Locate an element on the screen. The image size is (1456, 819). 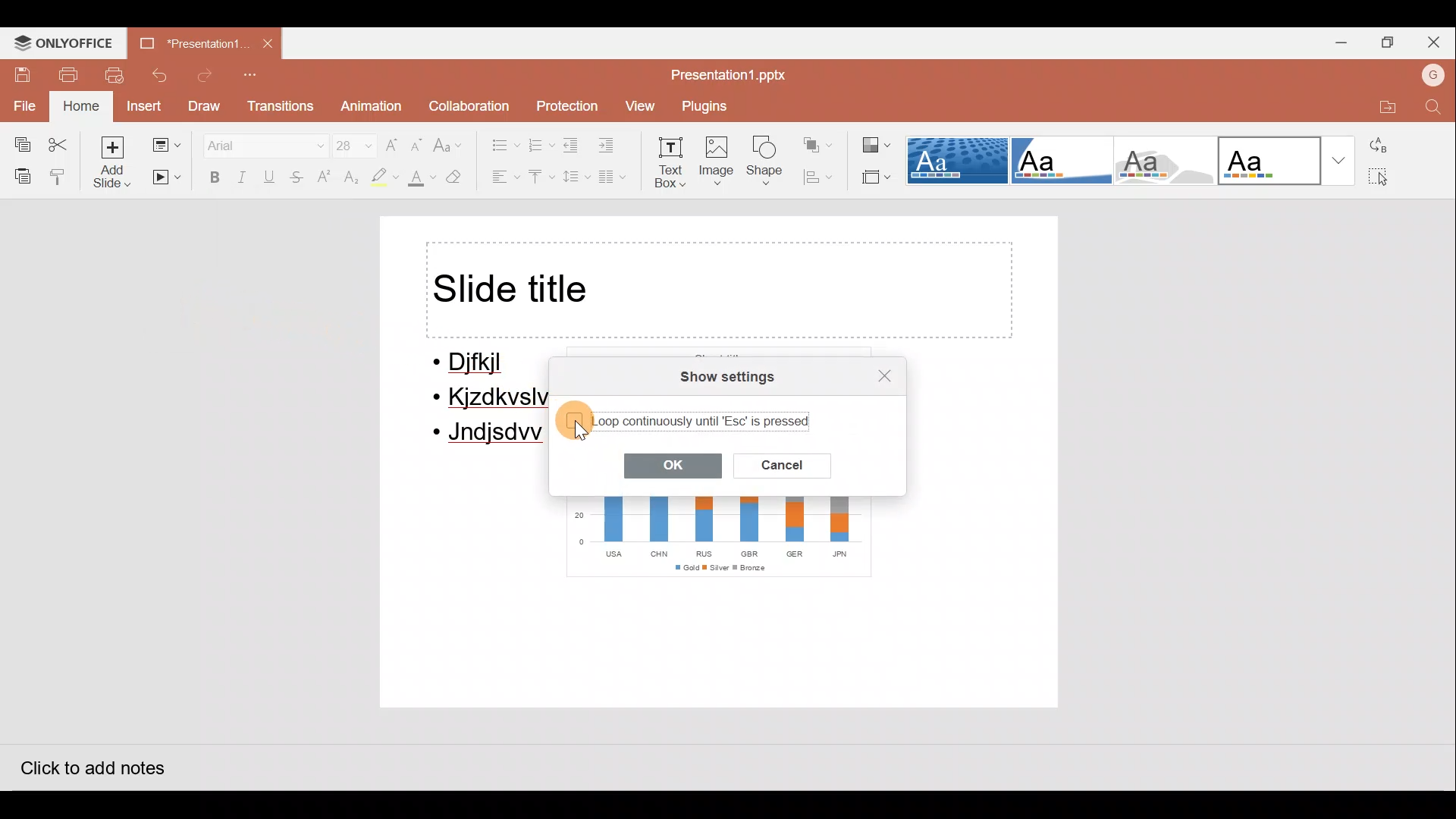
Italics is located at coordinates (238, 174).